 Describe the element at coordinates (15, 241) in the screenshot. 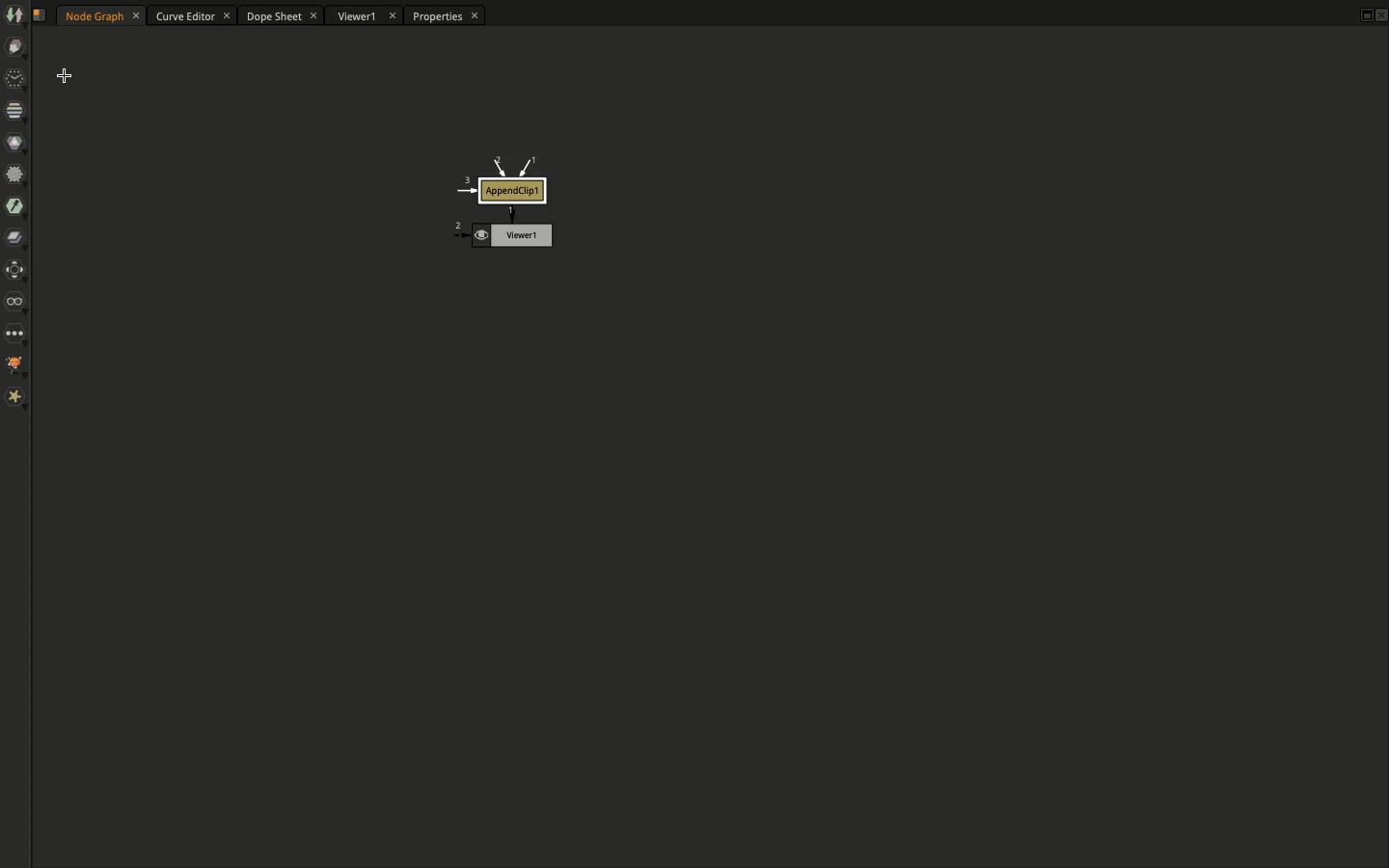

I see `Merger` at that location.